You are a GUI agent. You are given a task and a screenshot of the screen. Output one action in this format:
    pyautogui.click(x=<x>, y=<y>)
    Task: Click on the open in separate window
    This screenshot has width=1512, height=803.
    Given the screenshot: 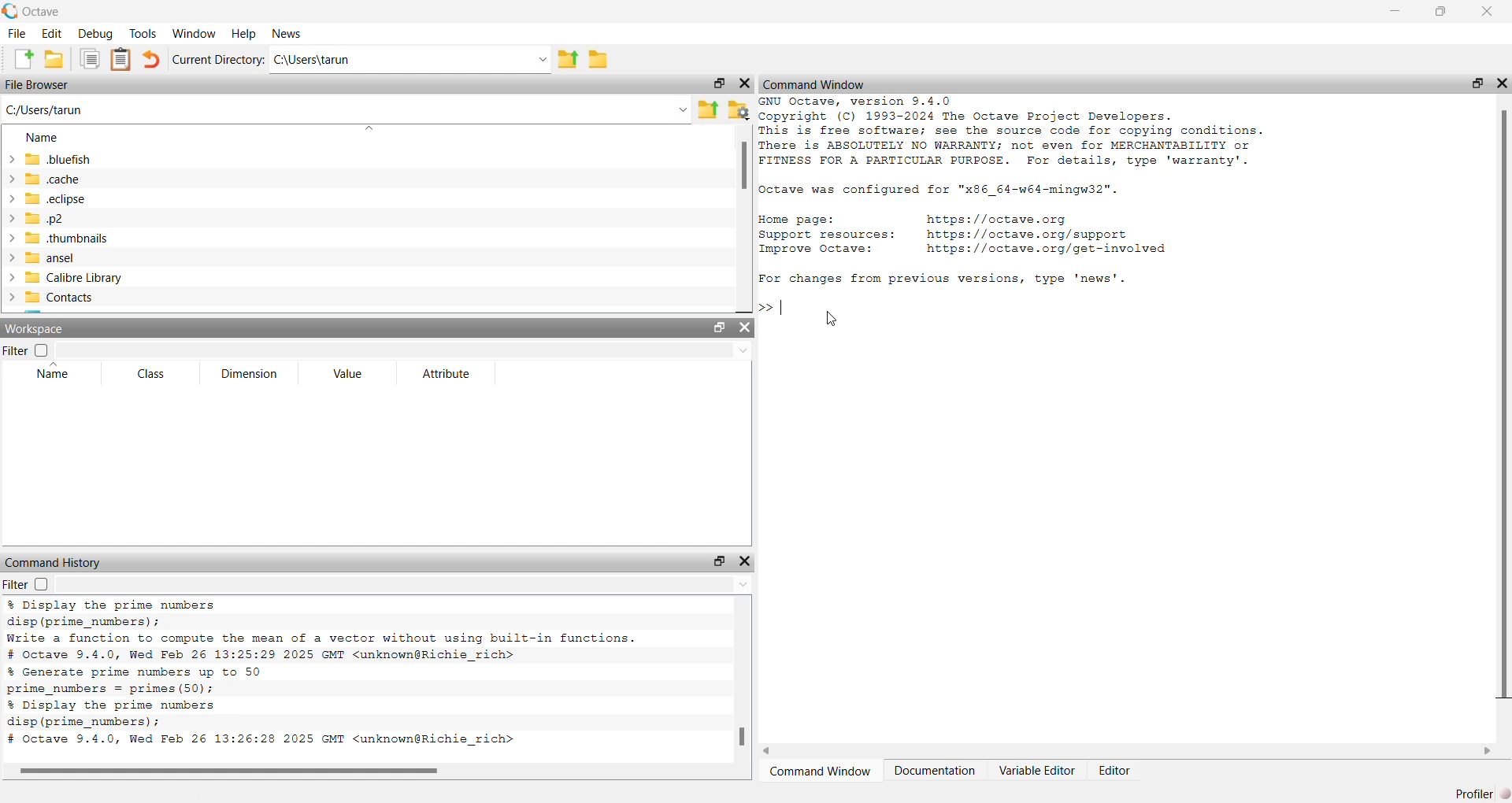 What is the action you would take?
    pyautogui.click(x=721, y=83)
    